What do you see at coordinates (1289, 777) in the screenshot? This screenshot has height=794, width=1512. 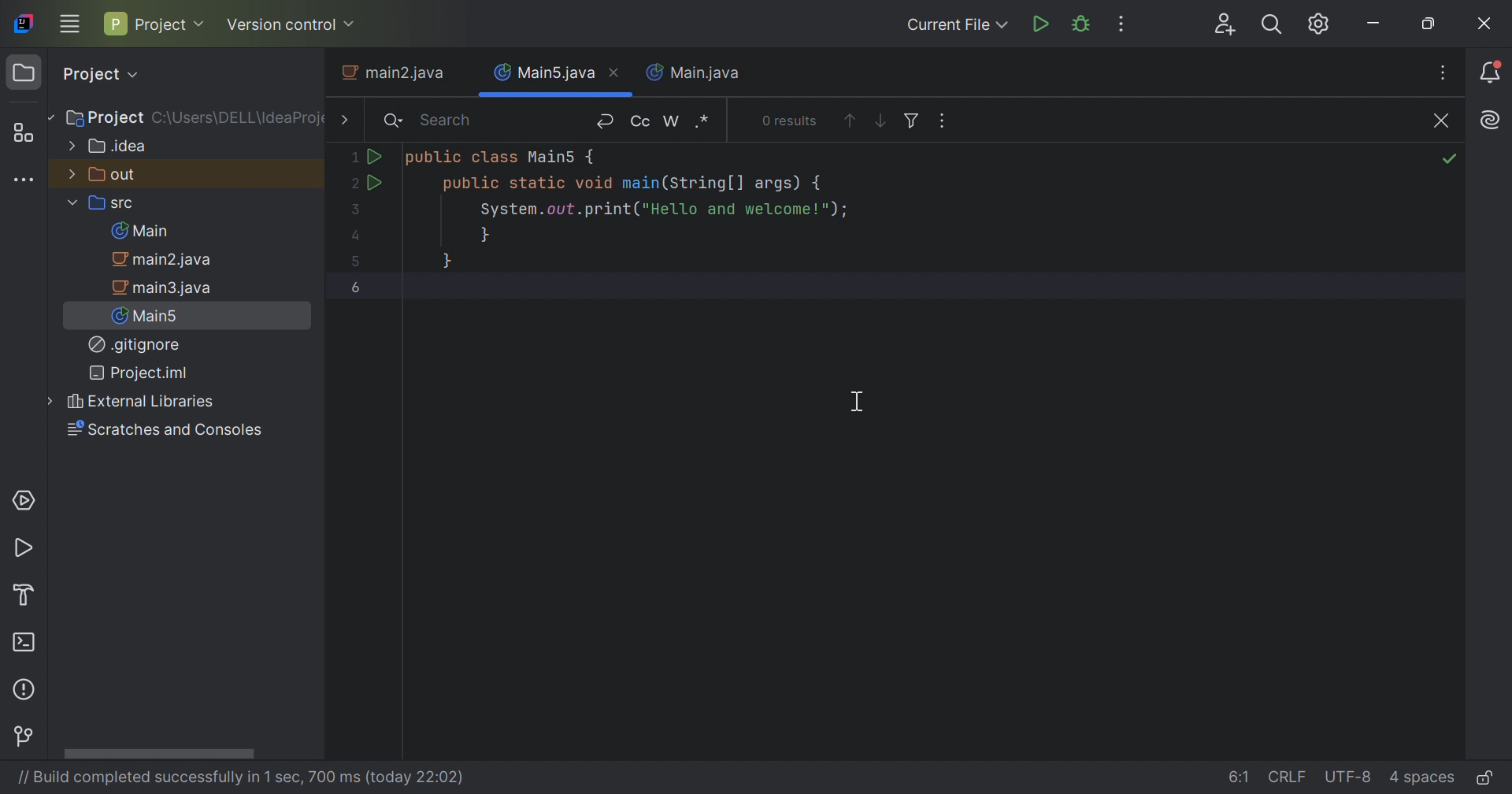 I see `line separation: \r\n` at bounding box center [1289, 777].